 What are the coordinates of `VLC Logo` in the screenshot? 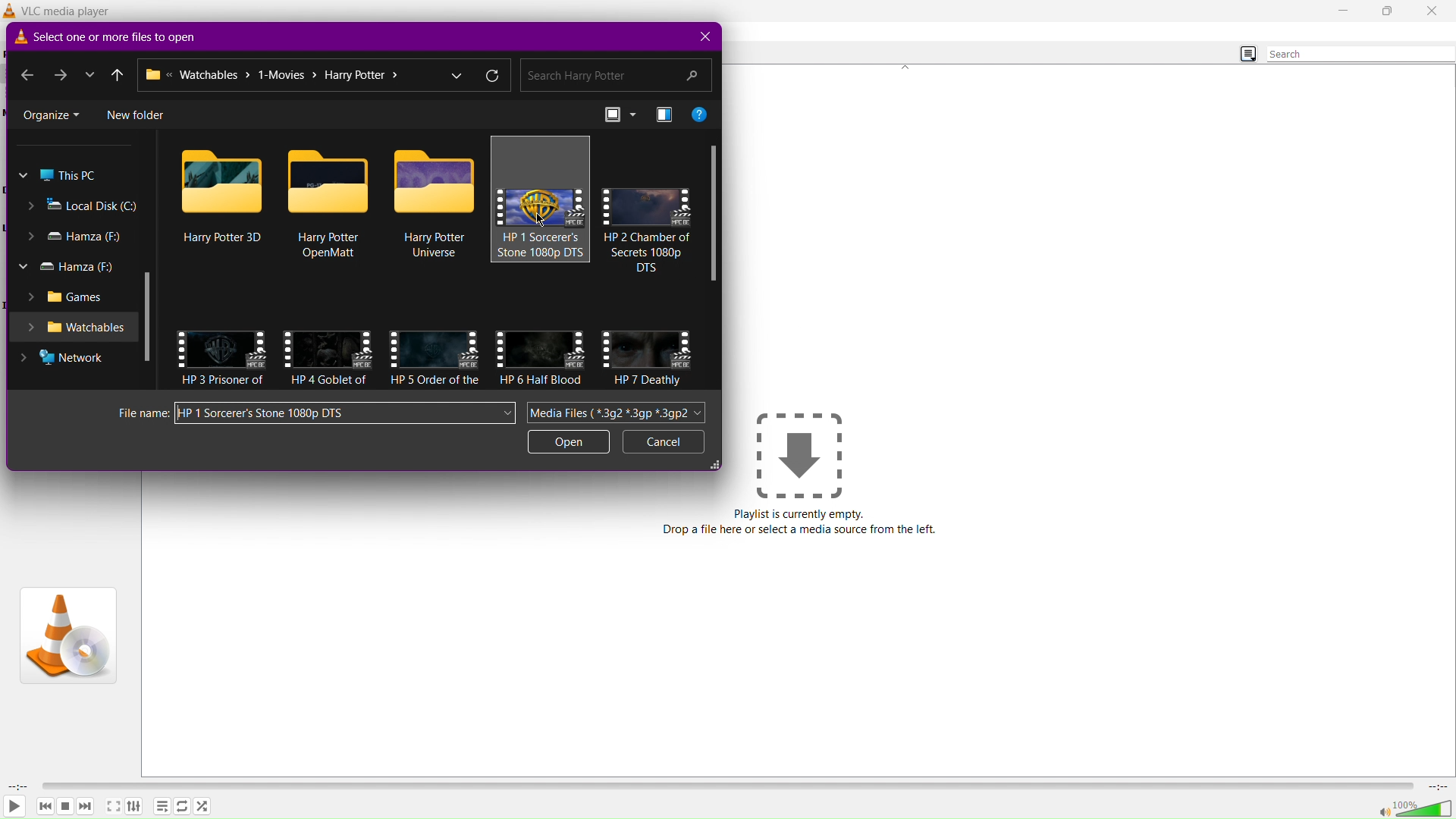 It's located at (67, 634).